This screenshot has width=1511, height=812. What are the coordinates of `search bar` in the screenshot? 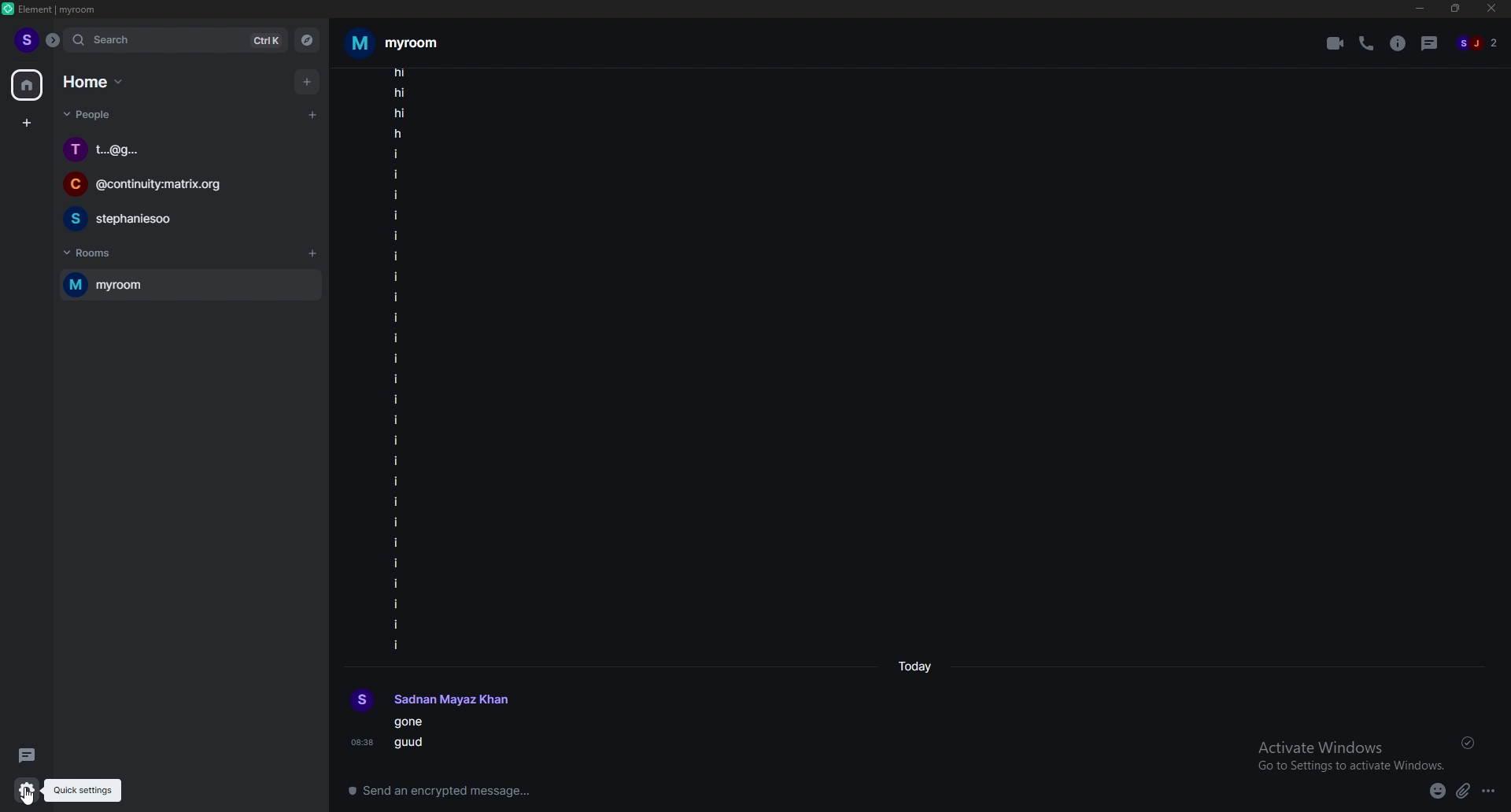 It's located at (176, 39).